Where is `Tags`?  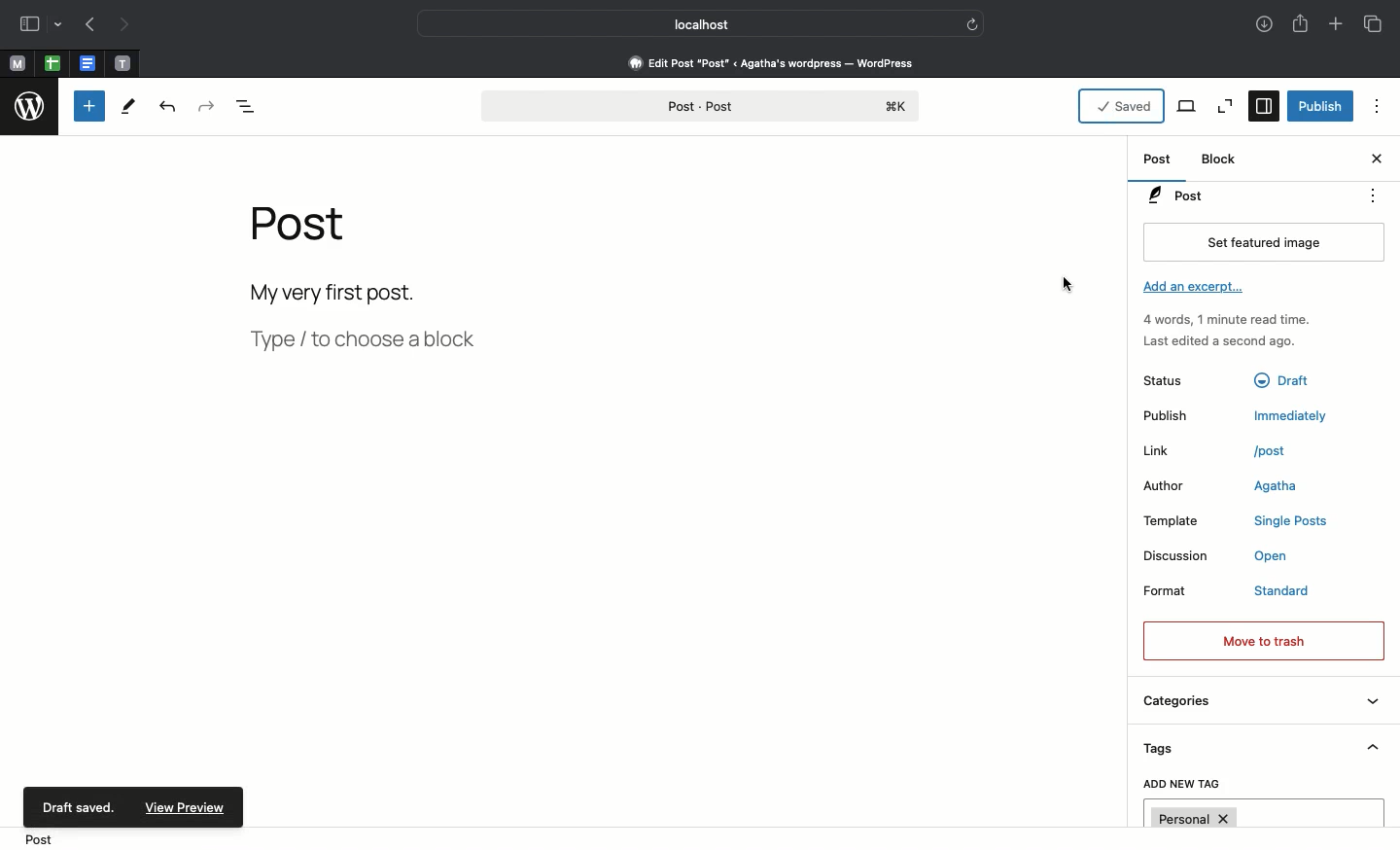
Tags is located at coordinates (1261, 752).